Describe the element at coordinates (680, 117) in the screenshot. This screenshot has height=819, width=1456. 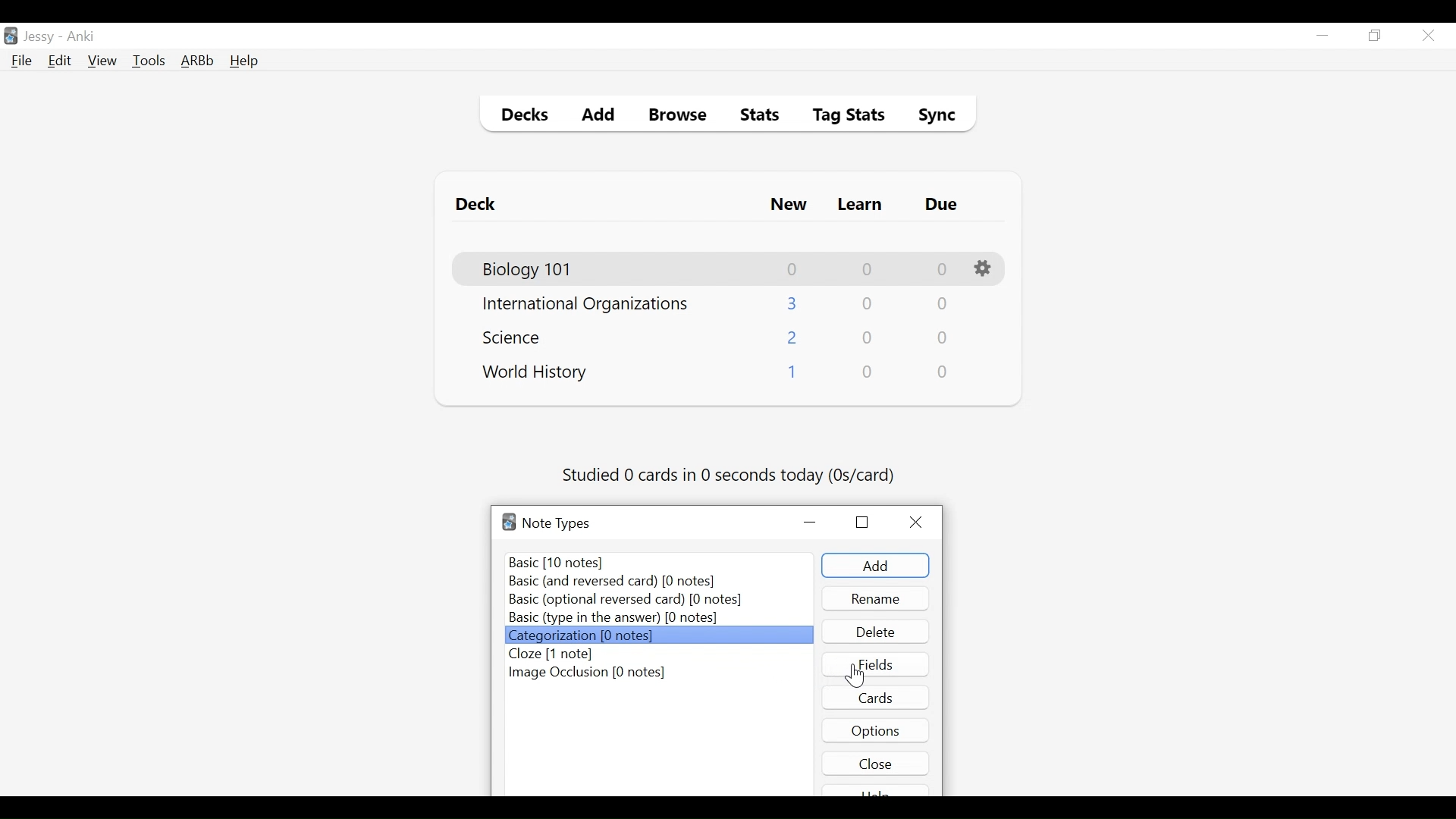
I see `Browse` at that location.